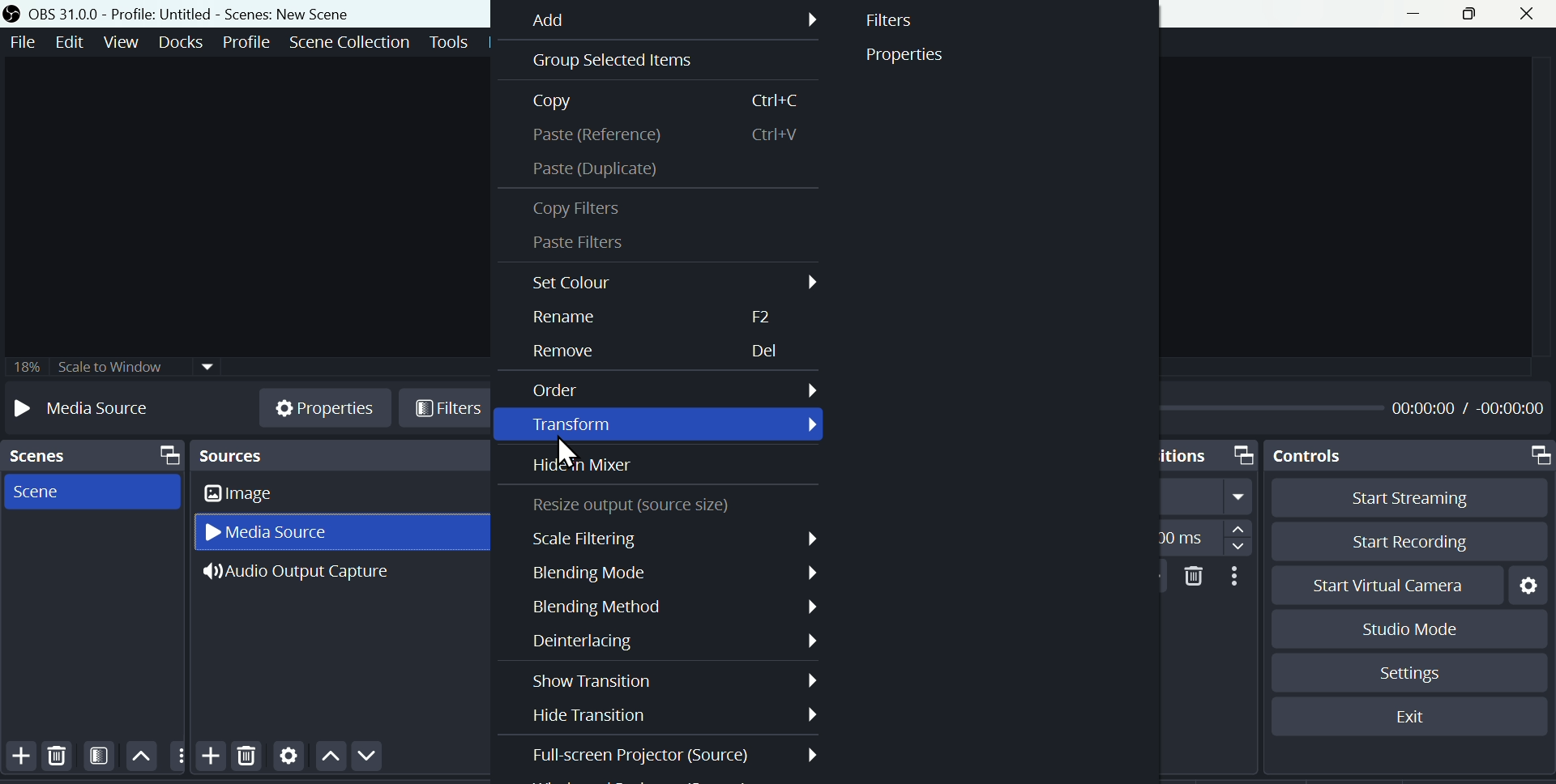 The width and height of the screenshot is (1556, 784). What do you see at coordinates (1379, 585) in the screenshot?
I see `start virtual camera` at bounding box center [1379, 585].